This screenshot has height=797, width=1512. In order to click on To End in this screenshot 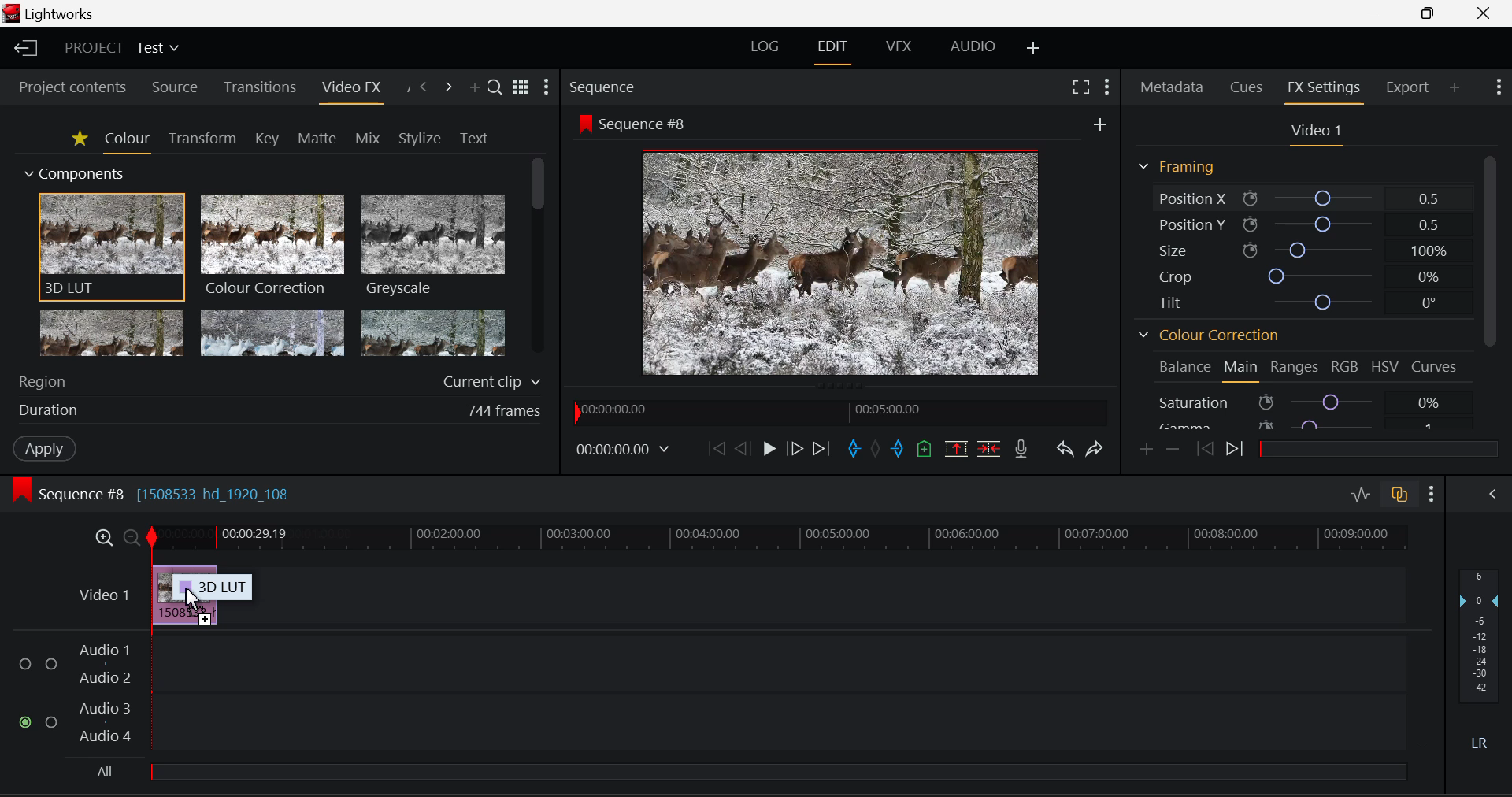, I will do `click(822, 451)`.